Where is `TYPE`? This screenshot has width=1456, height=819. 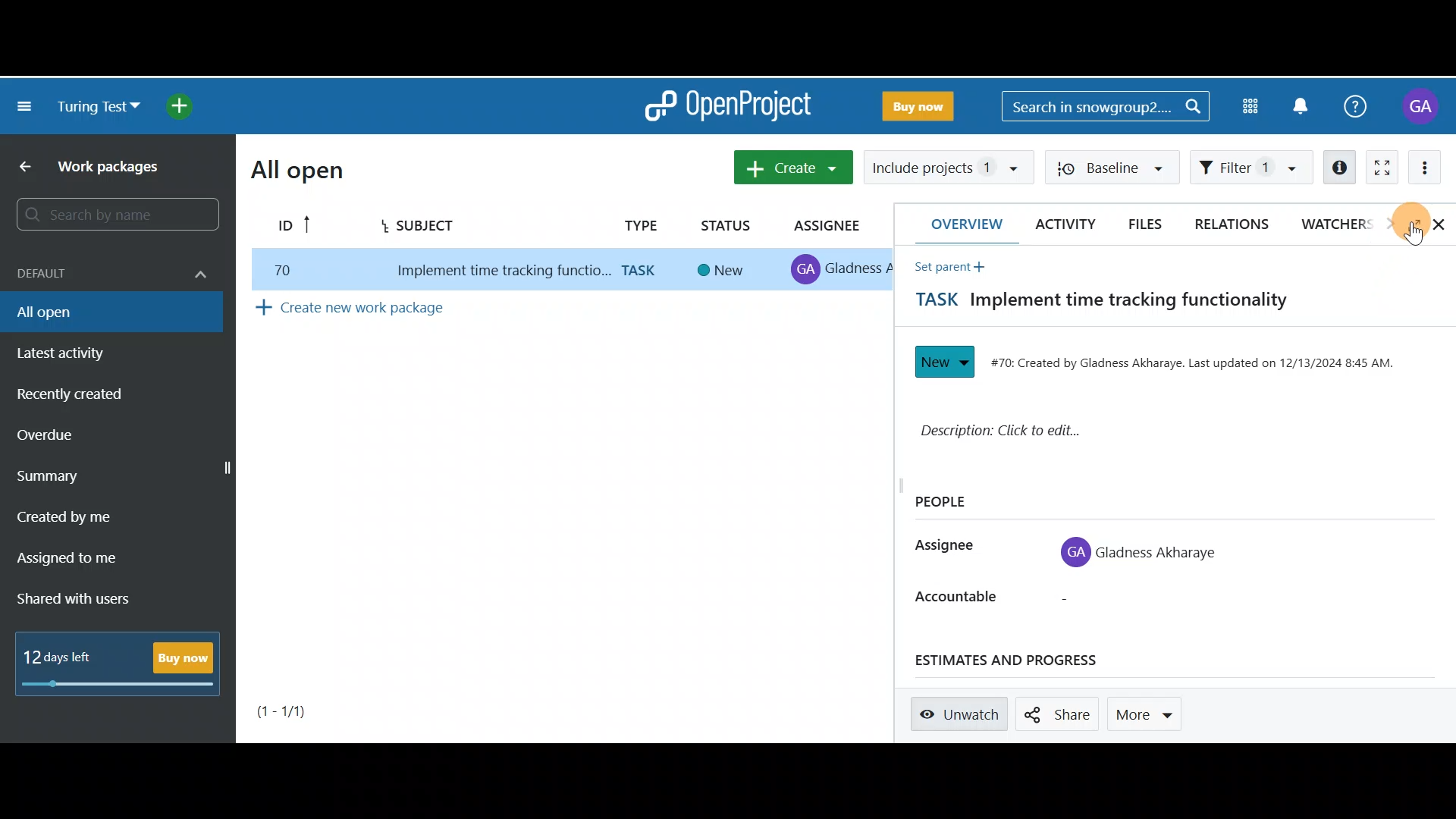 TYPE is located at coordinates (646, 227).